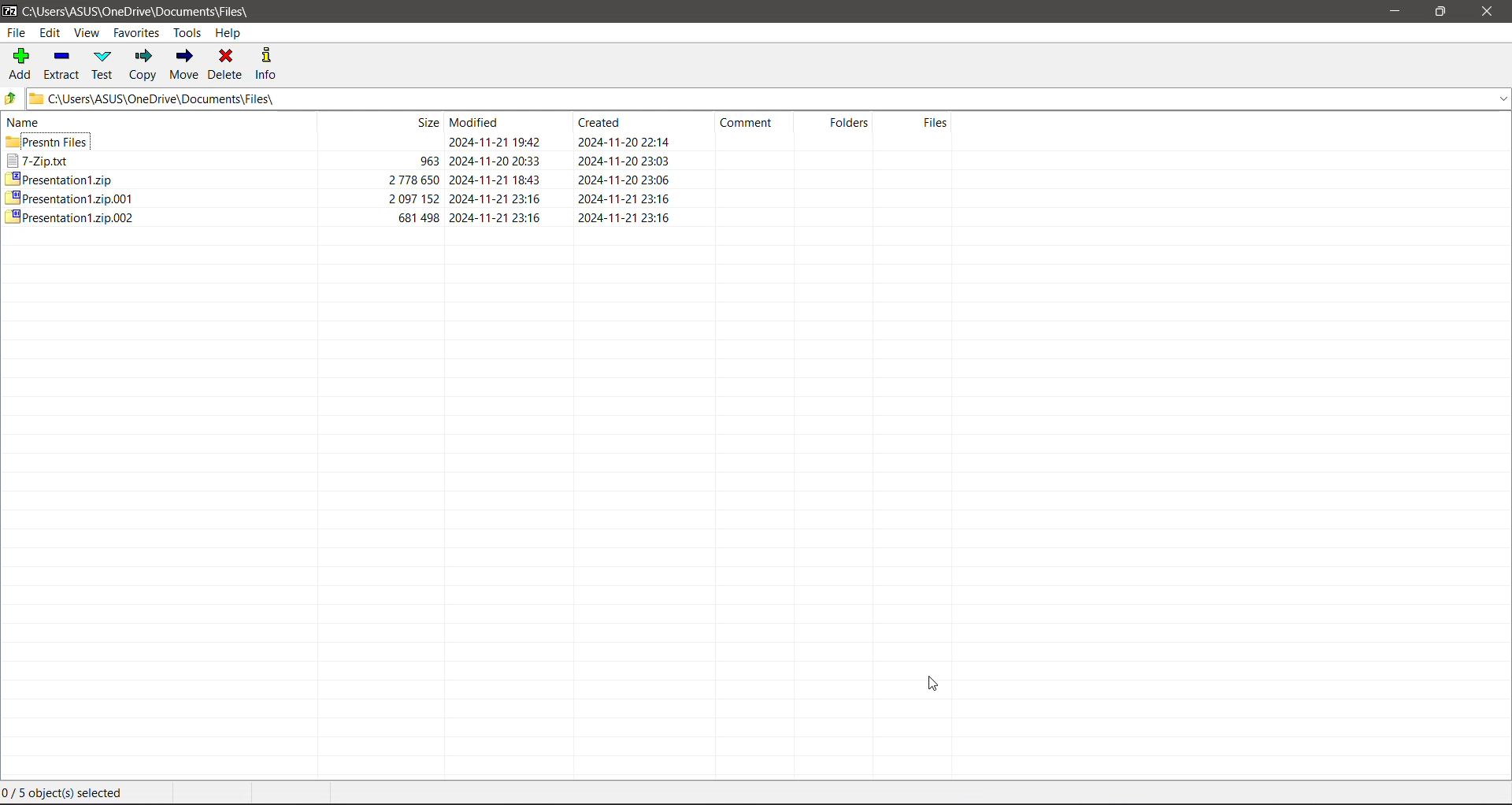 This screenshot has width=1512, height=805. I want to click on Delete, so click(225, 65).